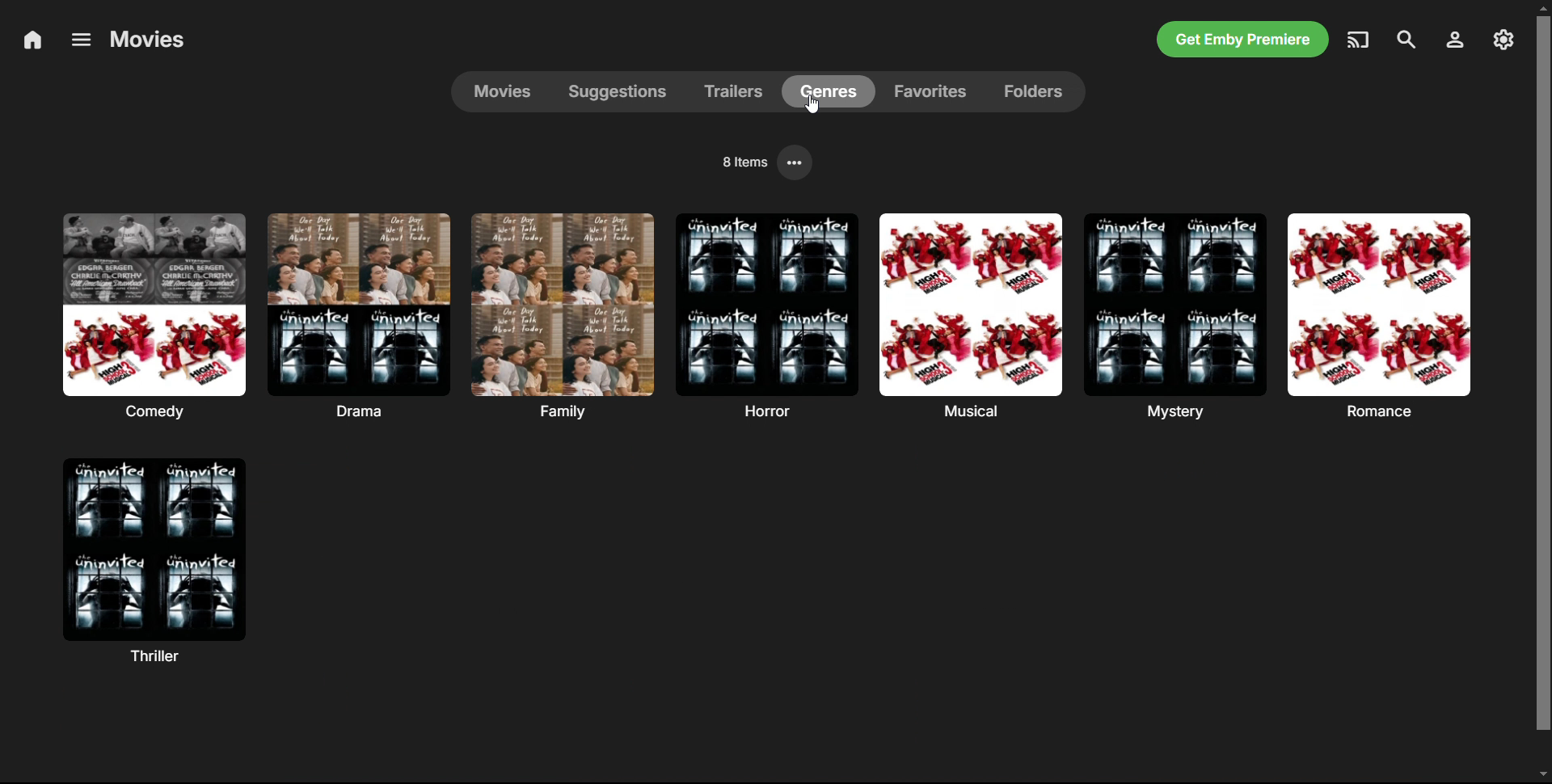 Image resolution: width=1552 pixels, height=784 pixels. Describe the element at coordinates (32, 41) in the screenshot. I see `home` at that location.